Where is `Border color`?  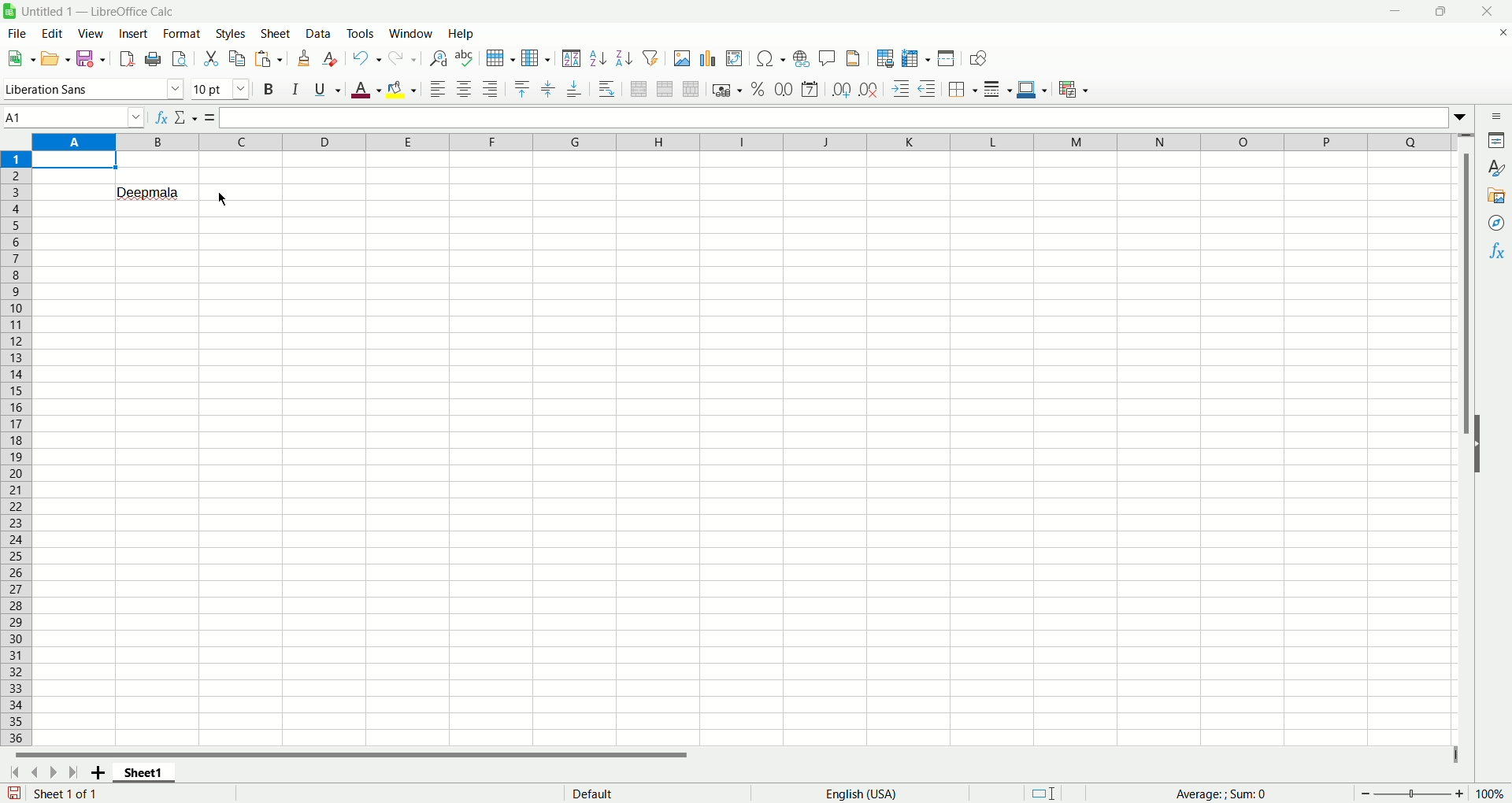
Border color is located at coordinates (1032, 89).